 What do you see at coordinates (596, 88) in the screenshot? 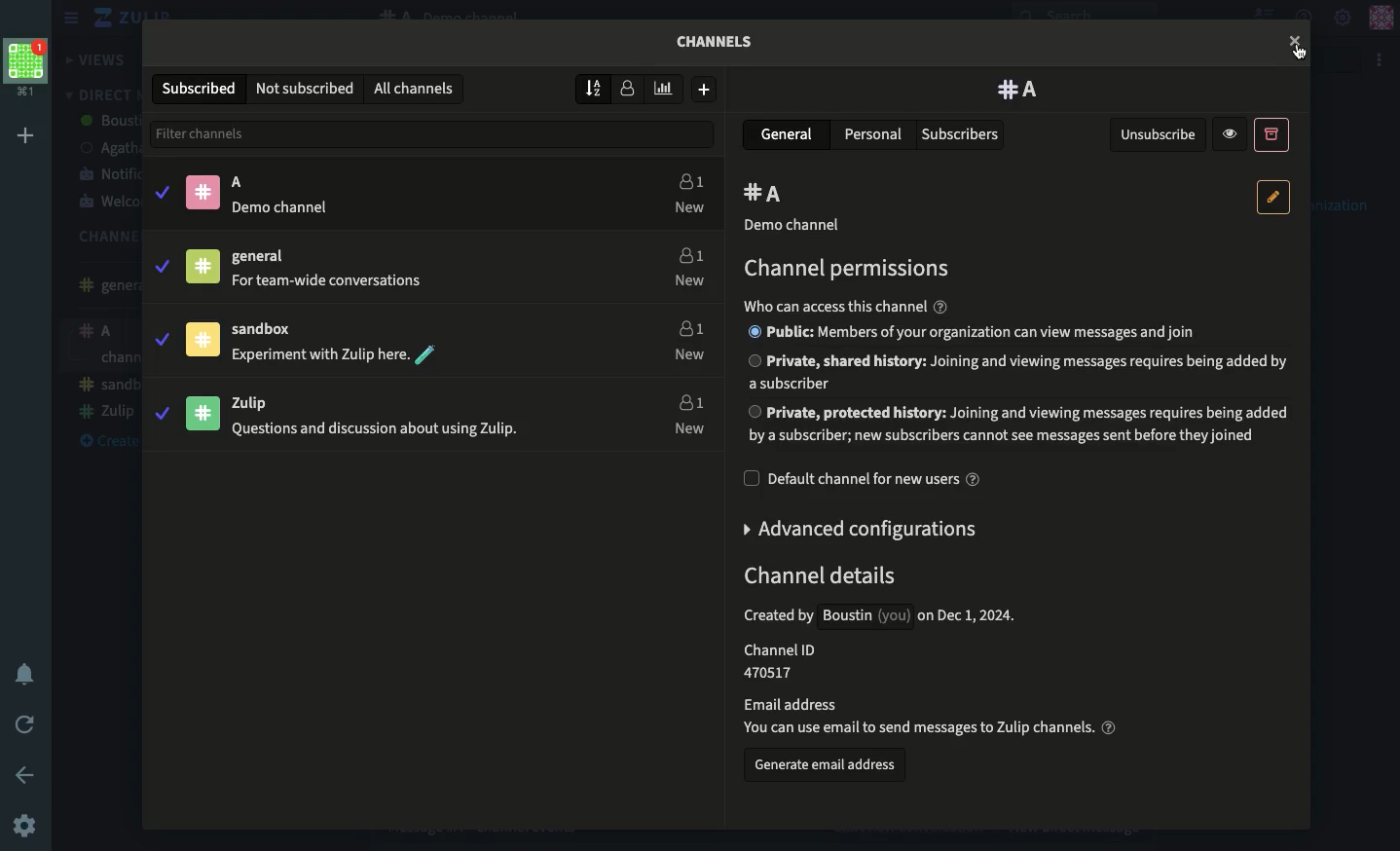
I see `Sort by name` at bounding box center [596, 88].